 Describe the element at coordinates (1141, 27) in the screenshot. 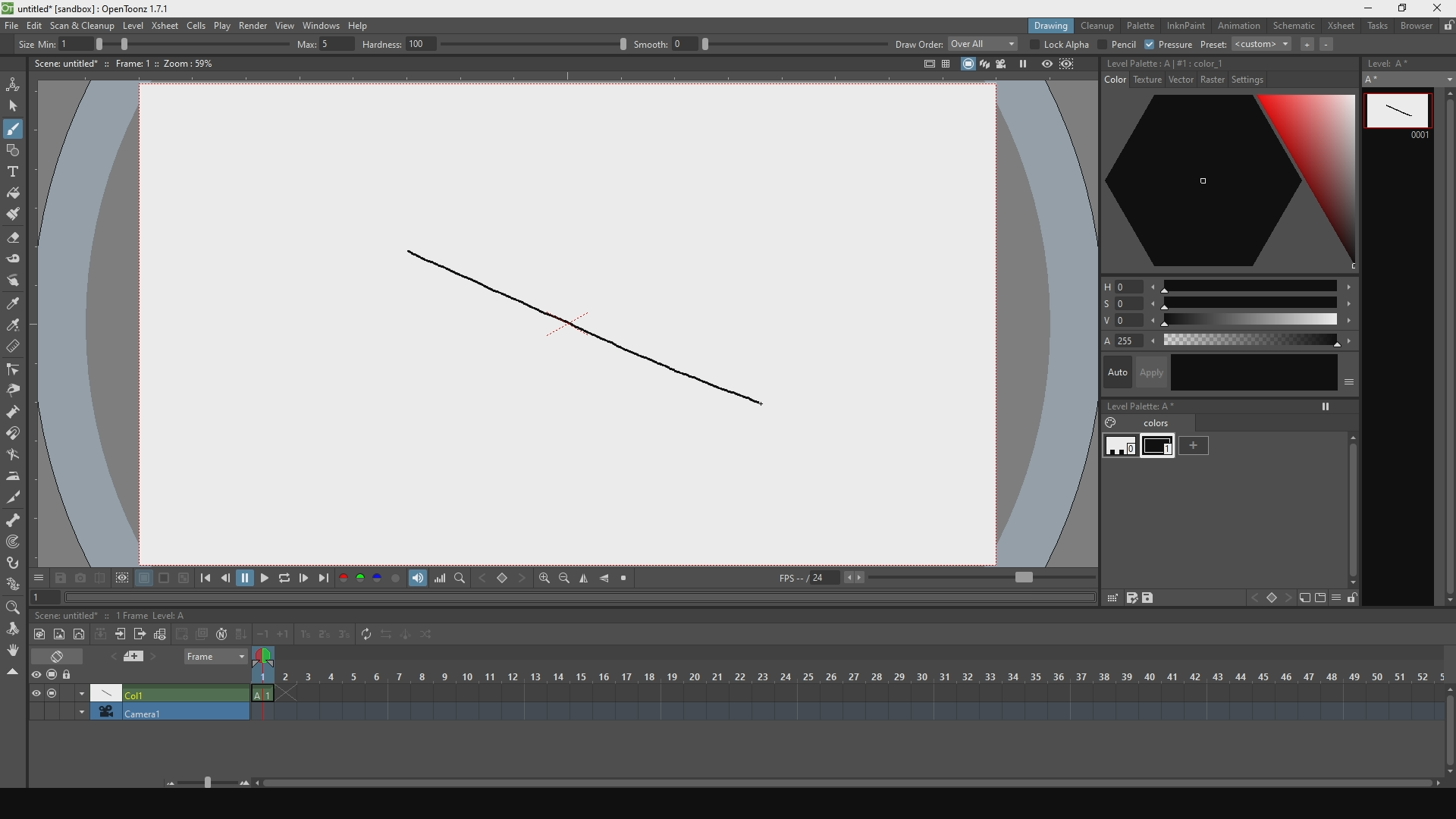

I see `palette` at that location.